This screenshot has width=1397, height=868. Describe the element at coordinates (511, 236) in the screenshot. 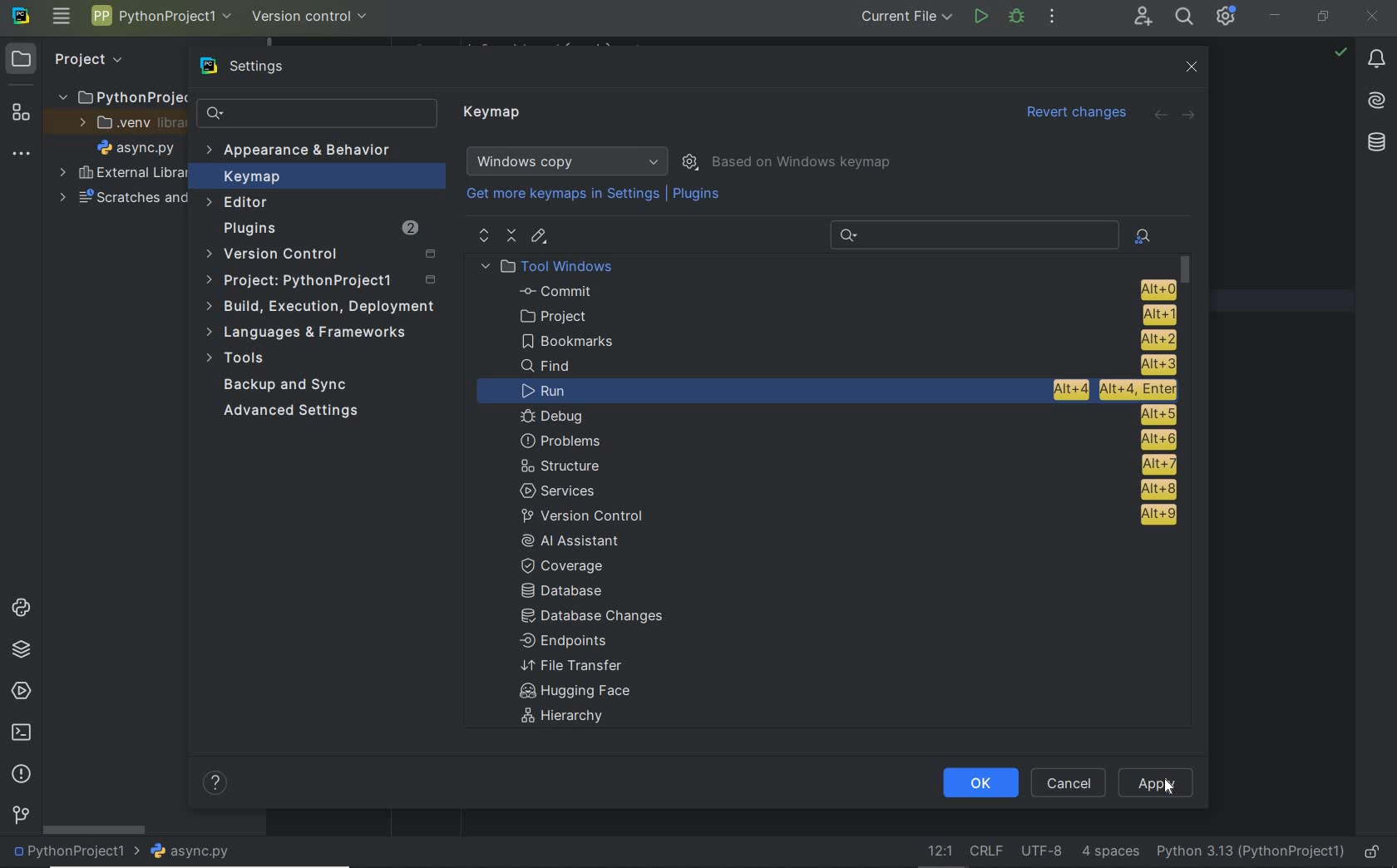

I see `collapse all` at that location.